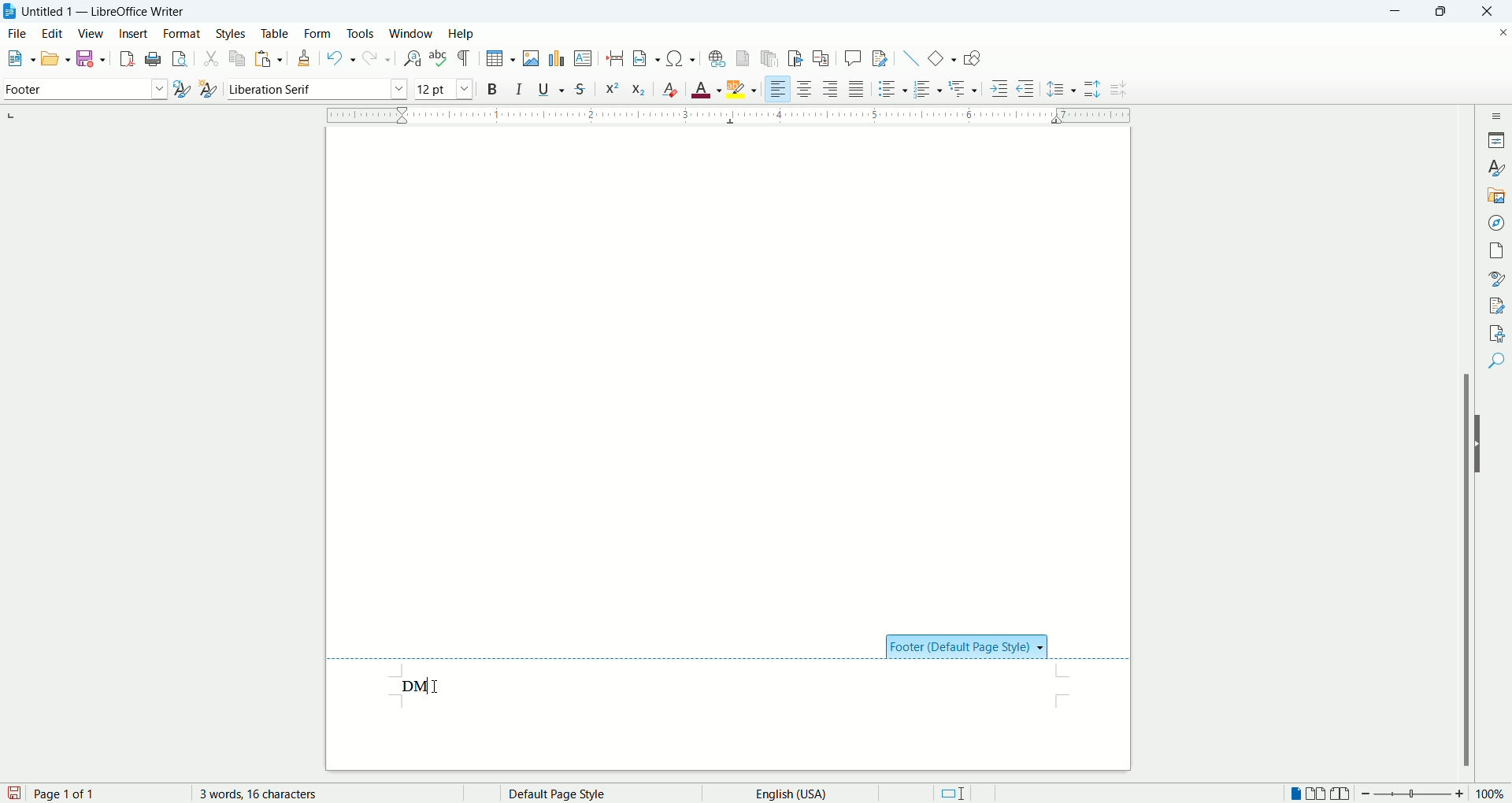  What do you see at coordinates (853, 57) in the screenshot?
I see `insert comment` at bounding box center [853, 57].